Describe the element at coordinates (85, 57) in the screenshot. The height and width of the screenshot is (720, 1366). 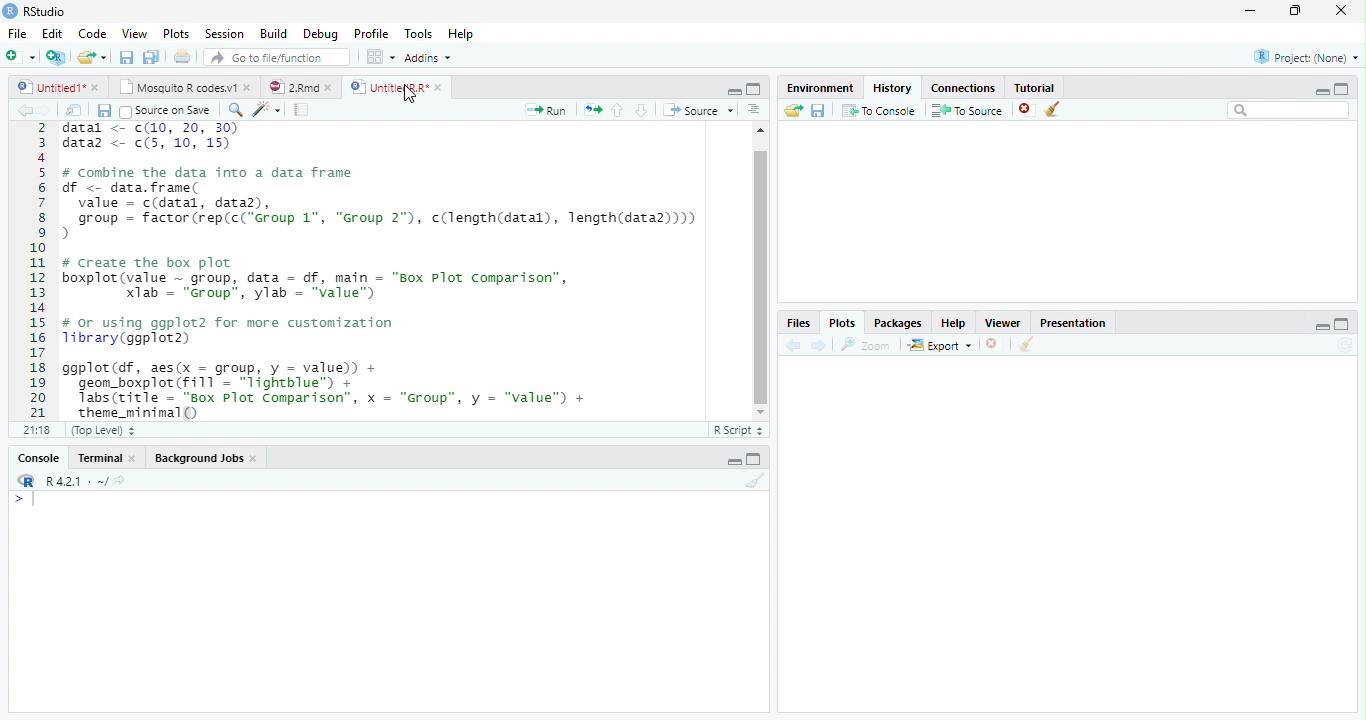
I see `Open an existing file` at that location.